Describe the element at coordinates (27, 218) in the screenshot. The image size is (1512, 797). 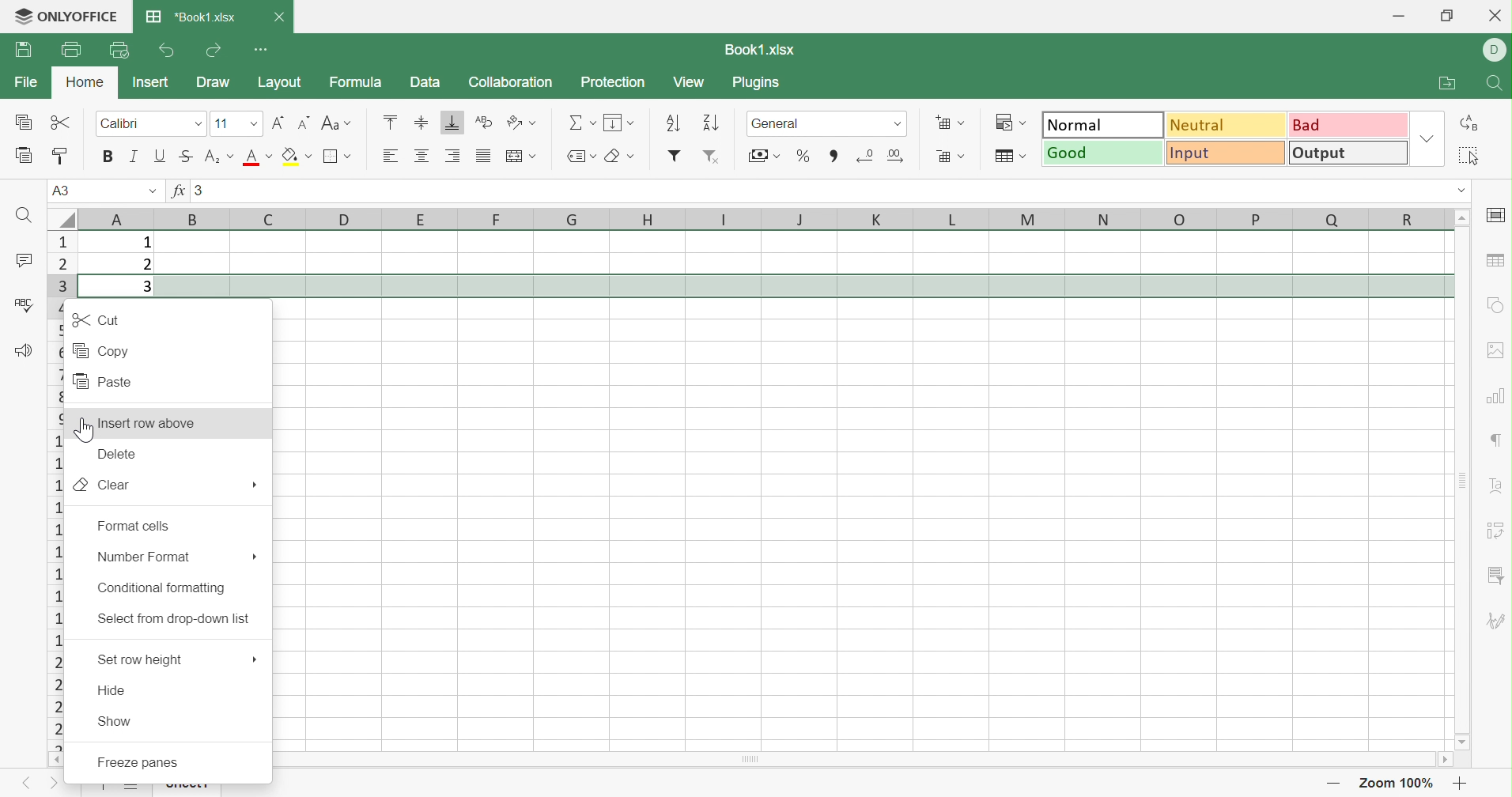
I see `Find` at that location.